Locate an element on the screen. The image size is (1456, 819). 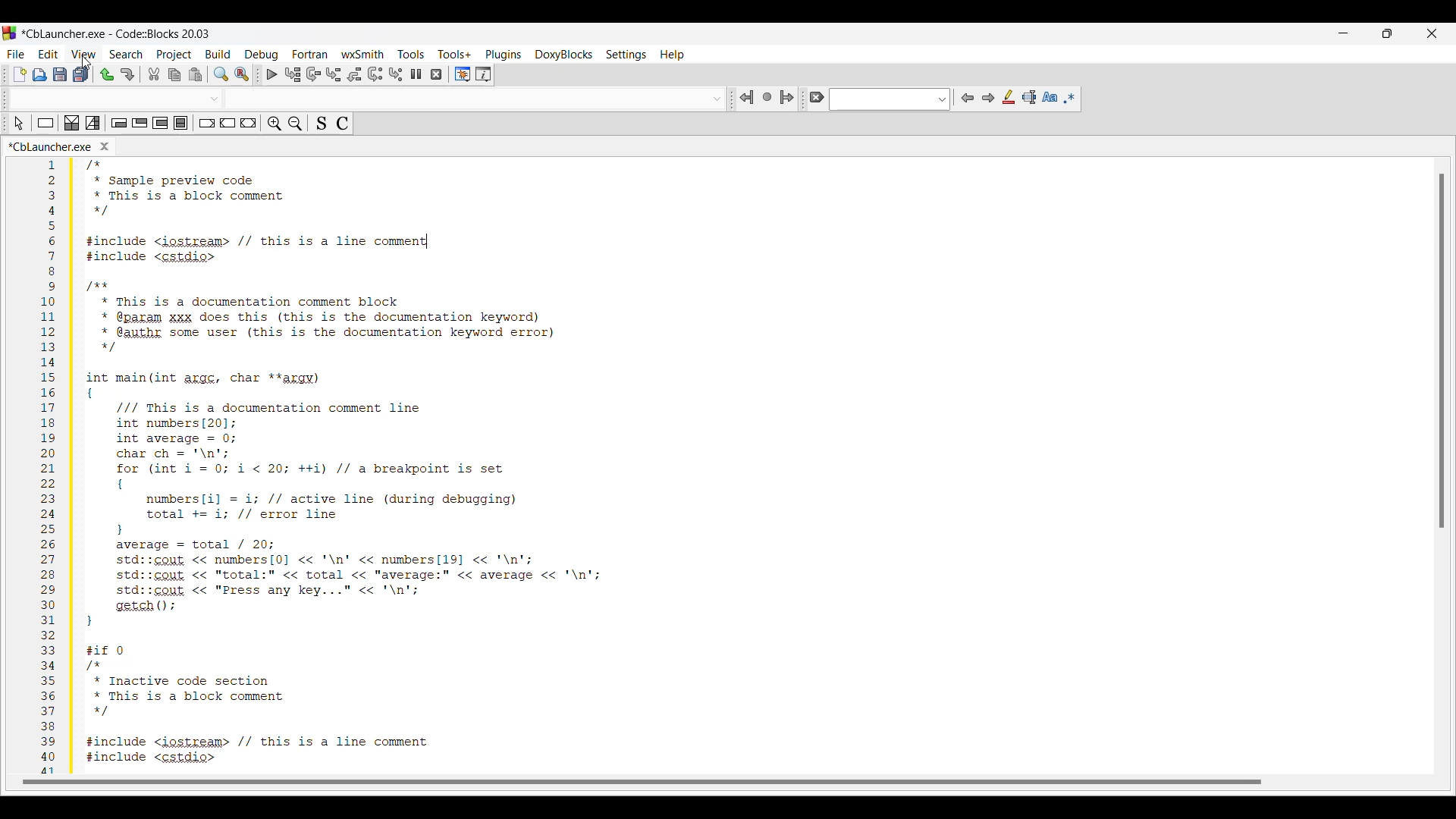
Decision is located at coordinates (72, 123).